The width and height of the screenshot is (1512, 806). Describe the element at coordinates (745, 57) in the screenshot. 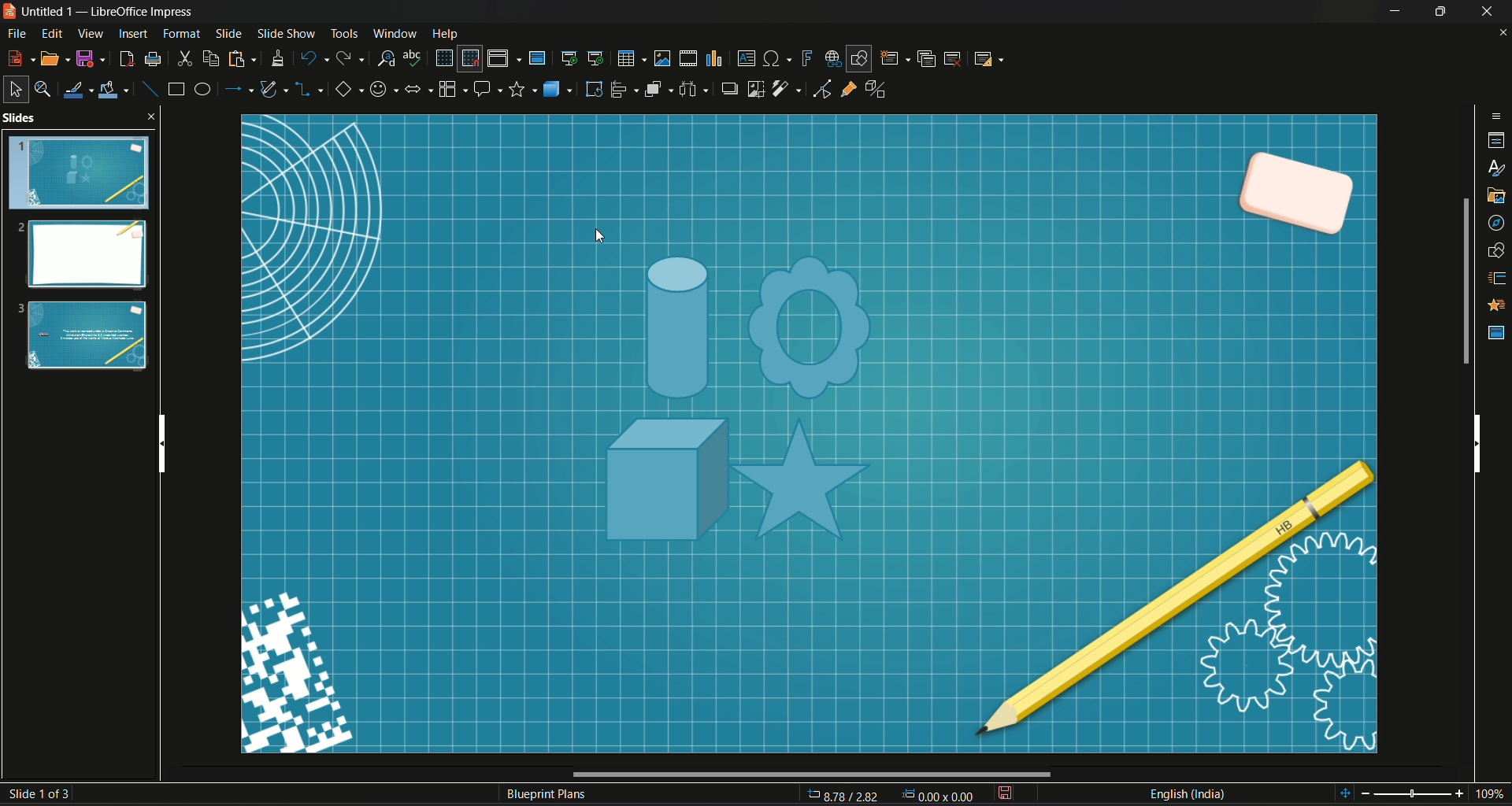

I see `insert textbox` at that location.